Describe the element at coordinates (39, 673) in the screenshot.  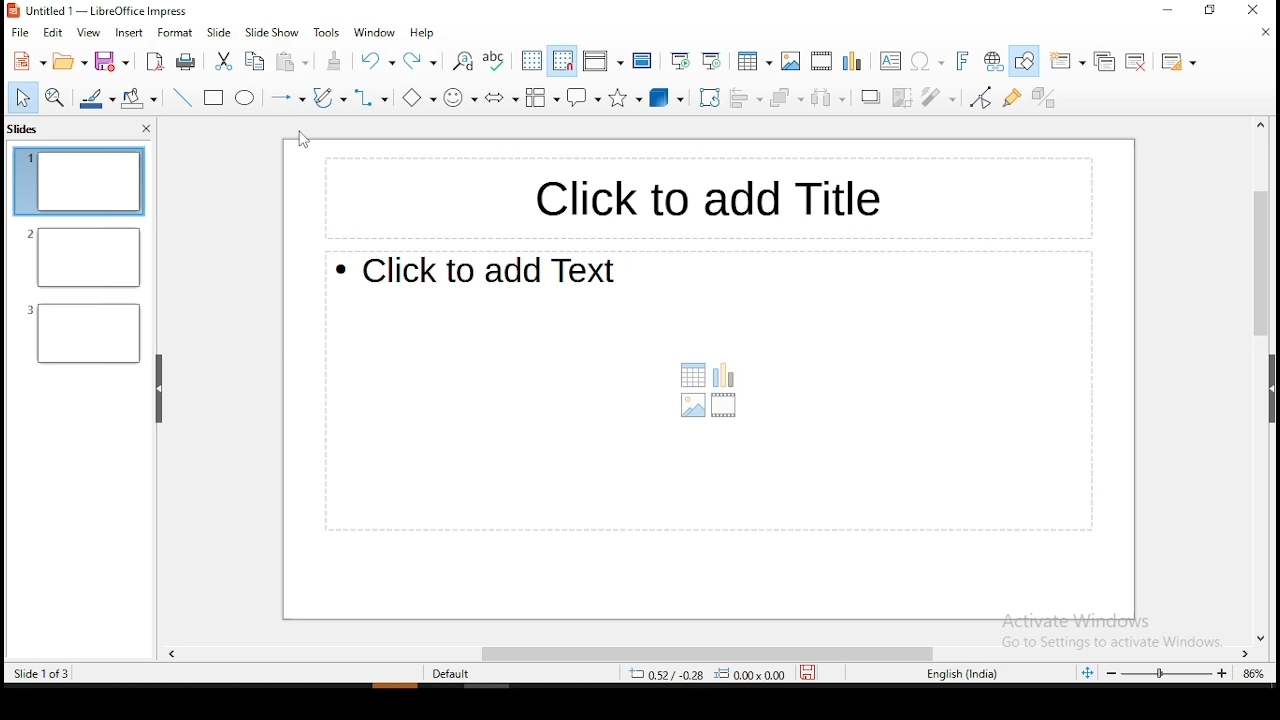
I see `slide 1 of 3` at that location.